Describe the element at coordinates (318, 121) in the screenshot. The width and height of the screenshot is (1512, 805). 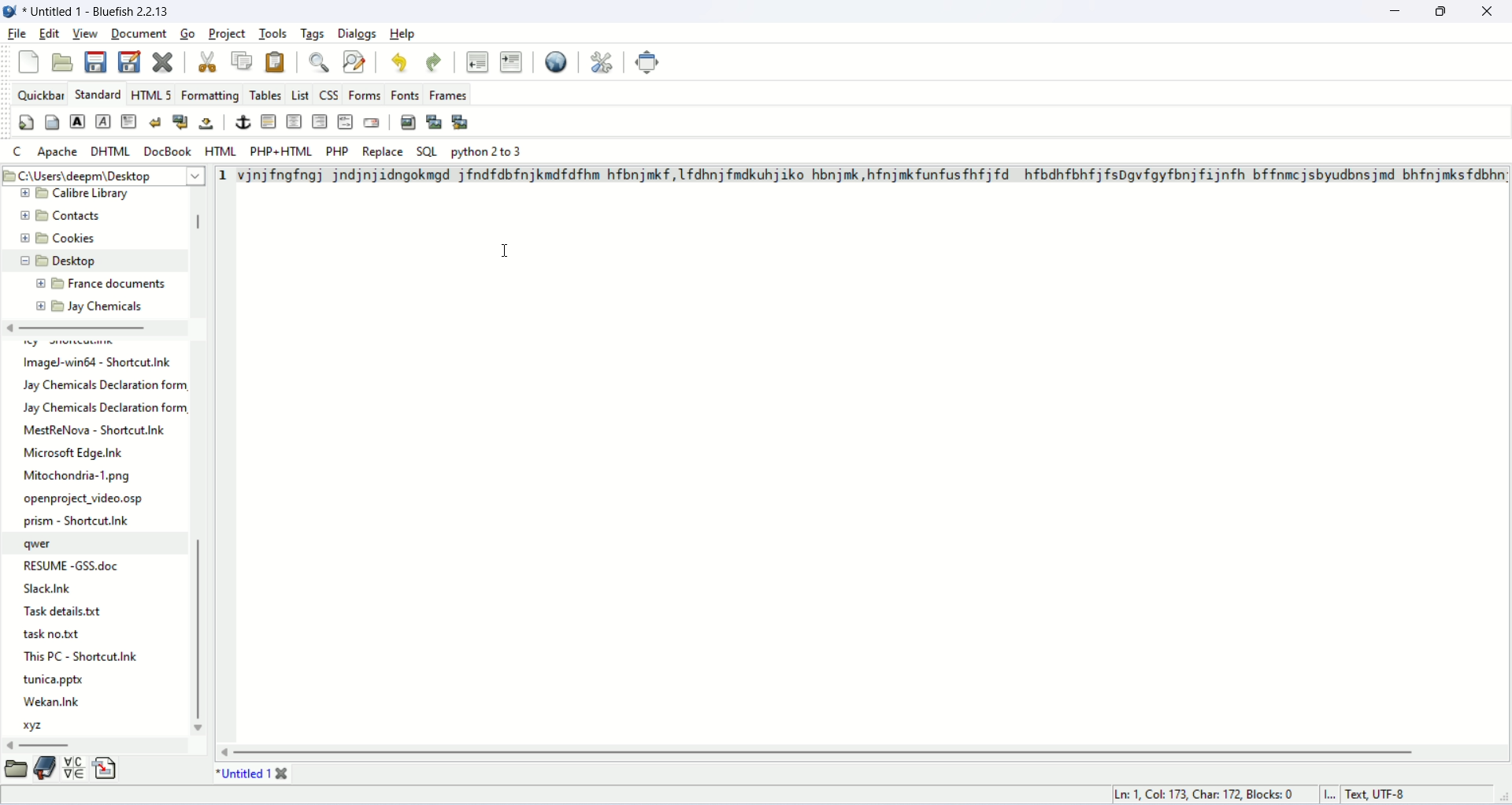
I see `Right justify` at that location.